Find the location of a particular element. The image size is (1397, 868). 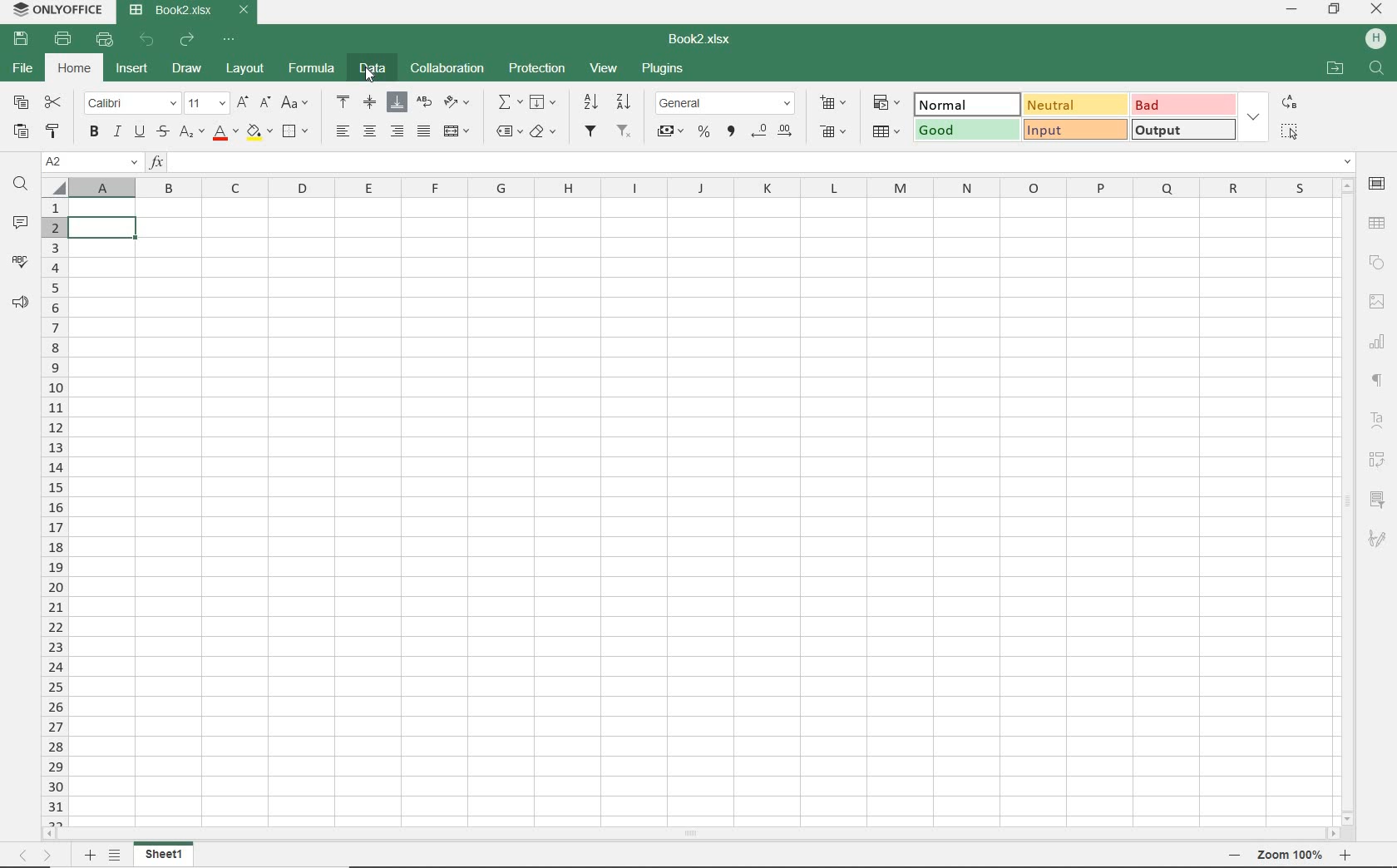

IMAGE is located at coordinates (1377, 301).